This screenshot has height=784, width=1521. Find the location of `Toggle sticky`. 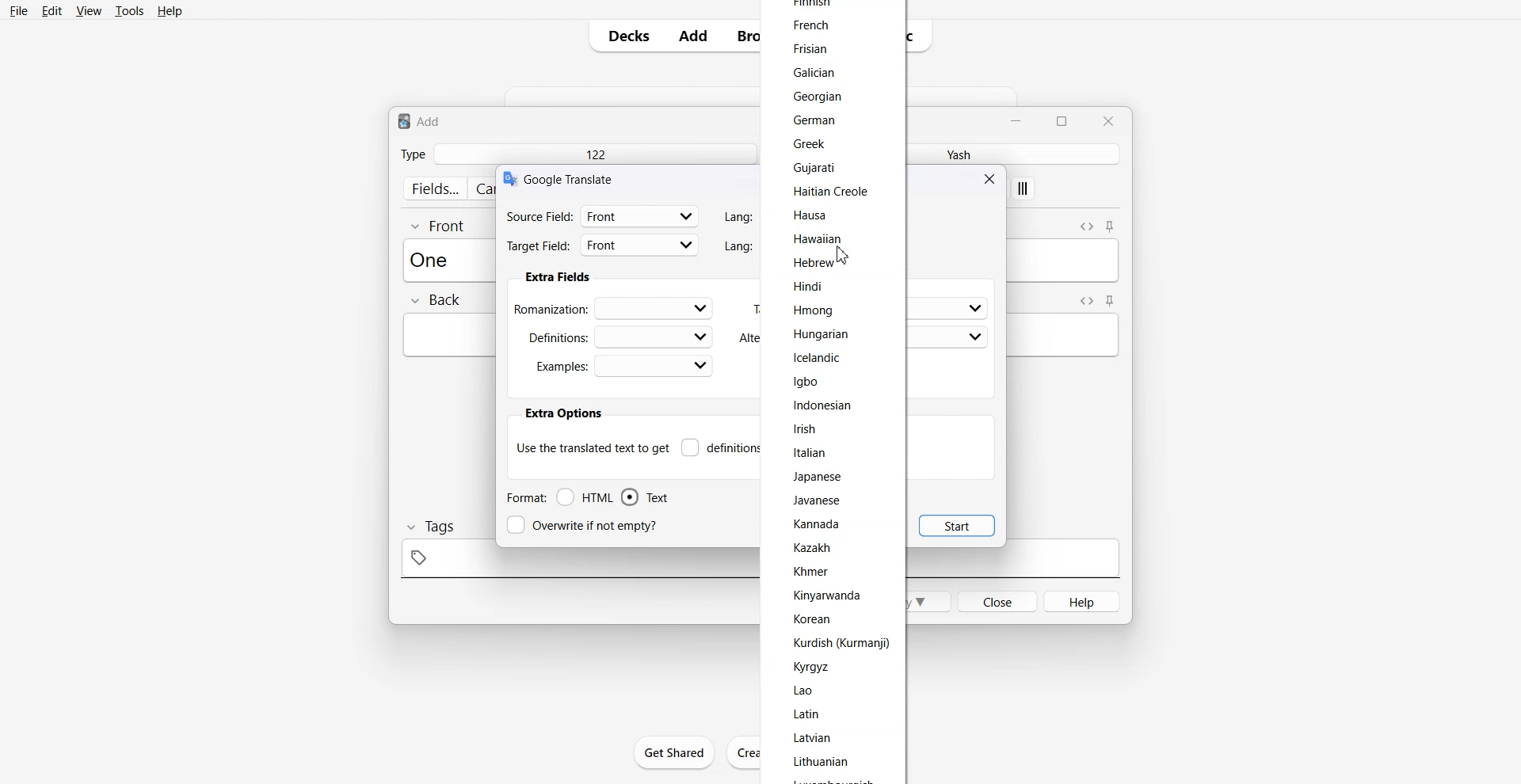

Toggle sticky is located at coordinates (1111, 227).